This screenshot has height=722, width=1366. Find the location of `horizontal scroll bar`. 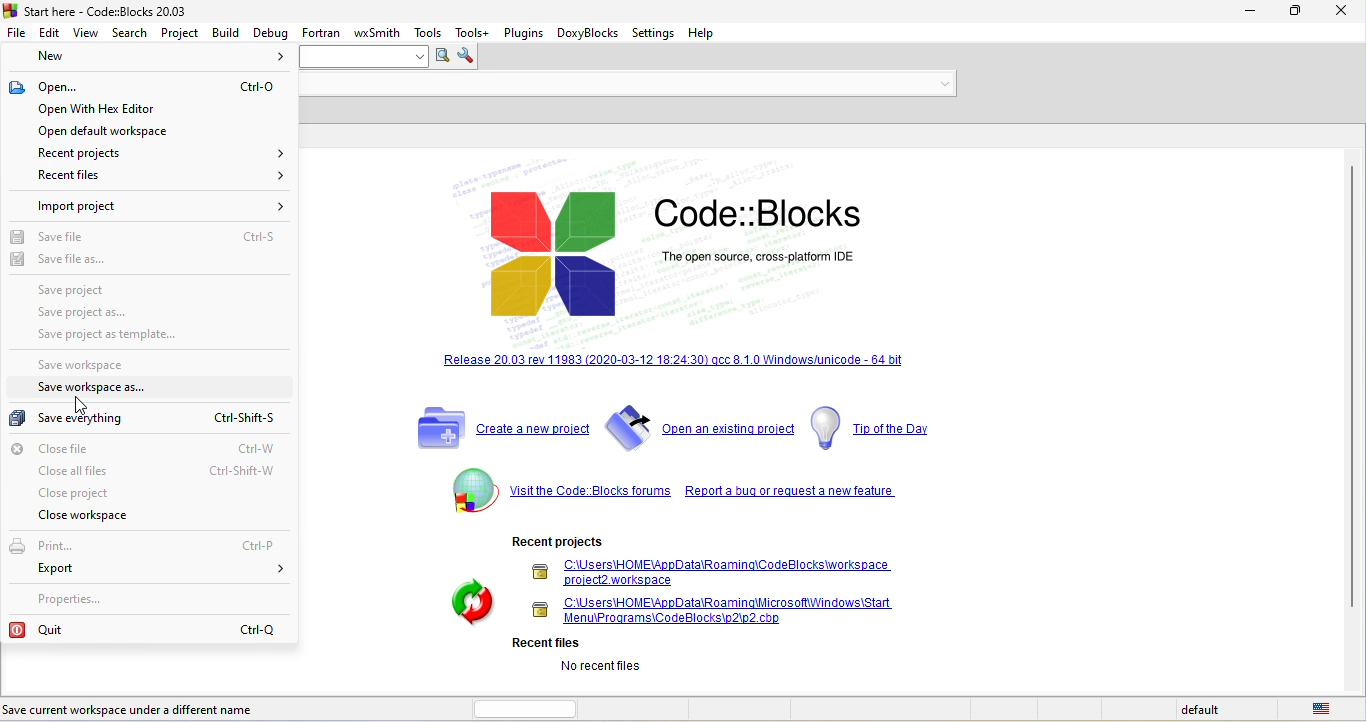

horizontal scroll bar is located at coordinates (531, 707).